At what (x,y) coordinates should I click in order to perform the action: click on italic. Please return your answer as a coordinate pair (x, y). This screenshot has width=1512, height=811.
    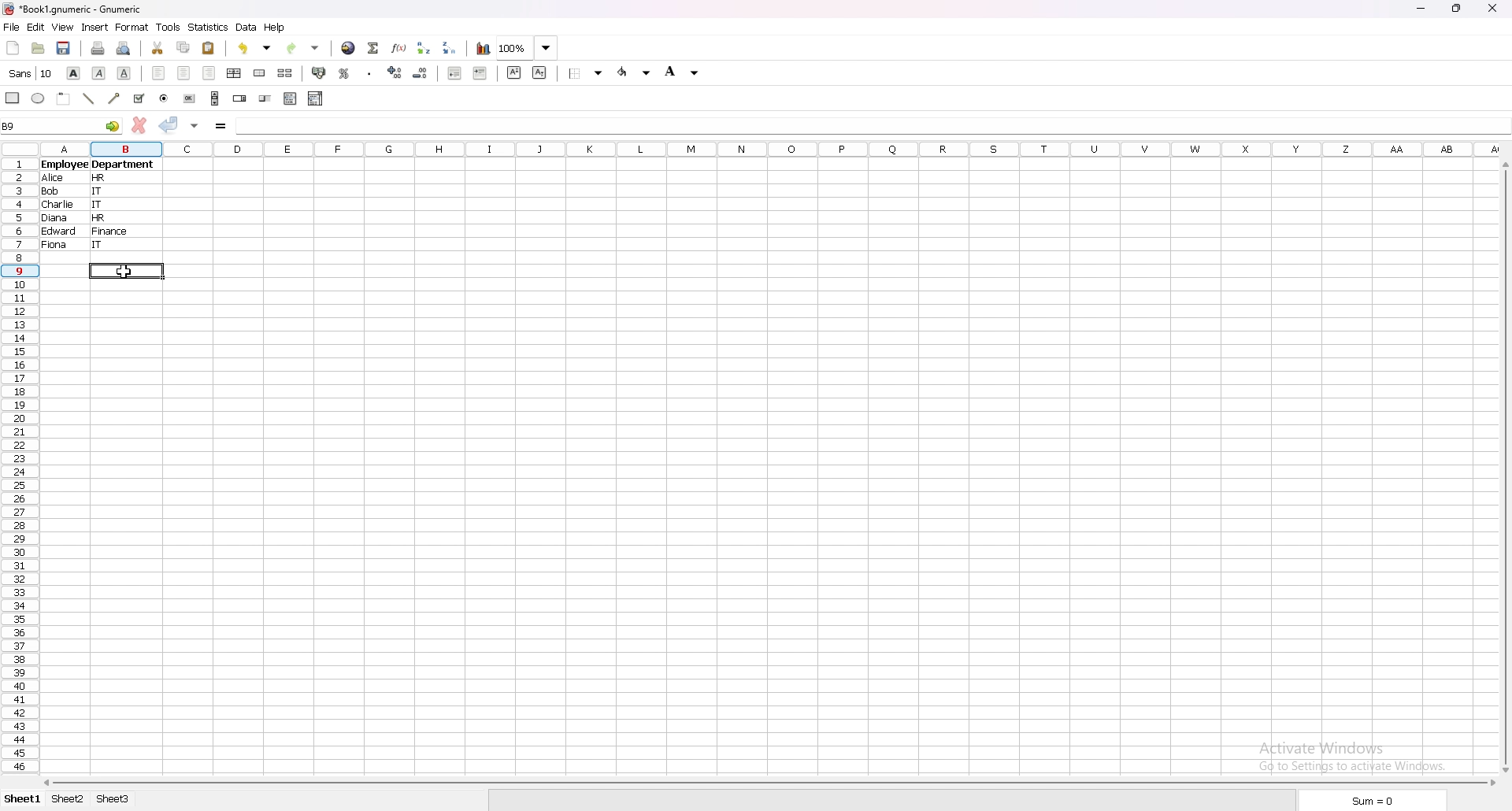
    Looking at the image, I should click on (99, 72).